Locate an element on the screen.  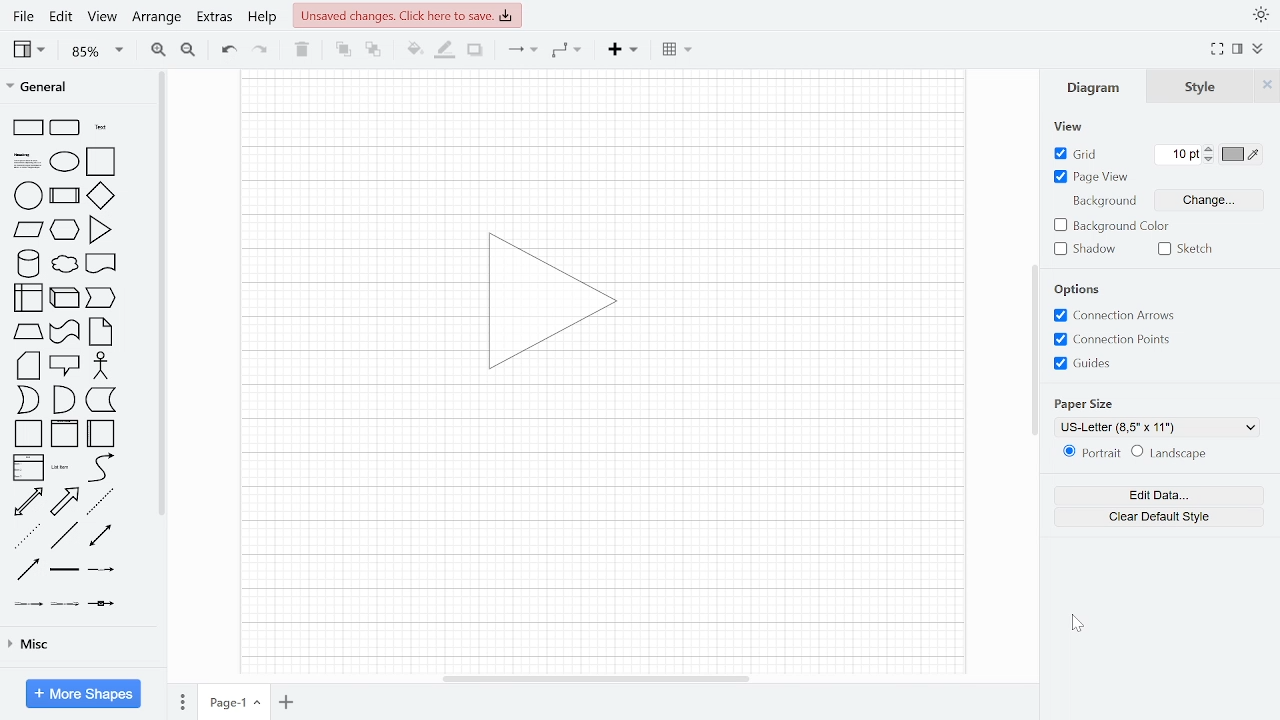
File is located at coordinates (22, 17).